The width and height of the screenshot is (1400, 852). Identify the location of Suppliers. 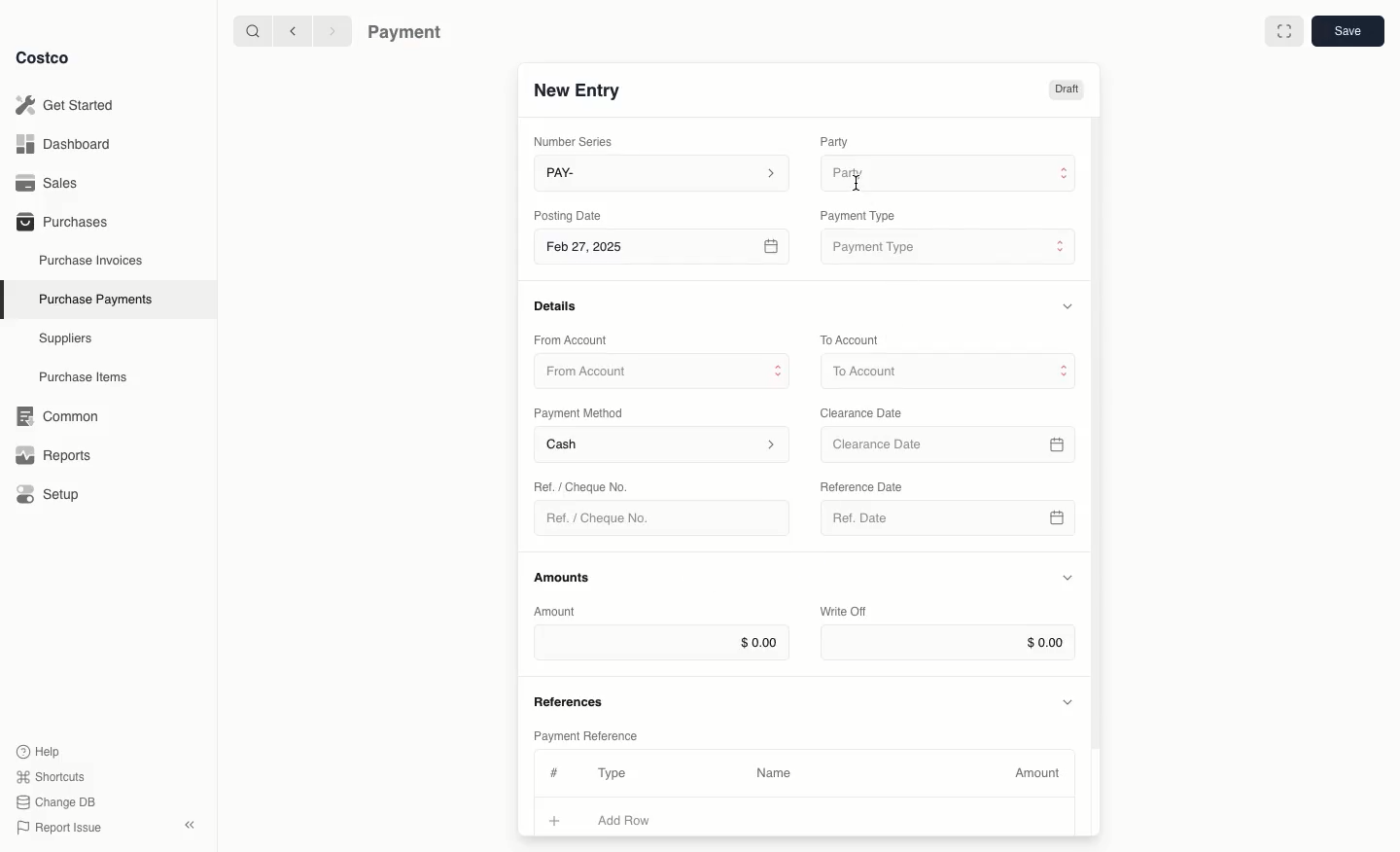
(66, 337).